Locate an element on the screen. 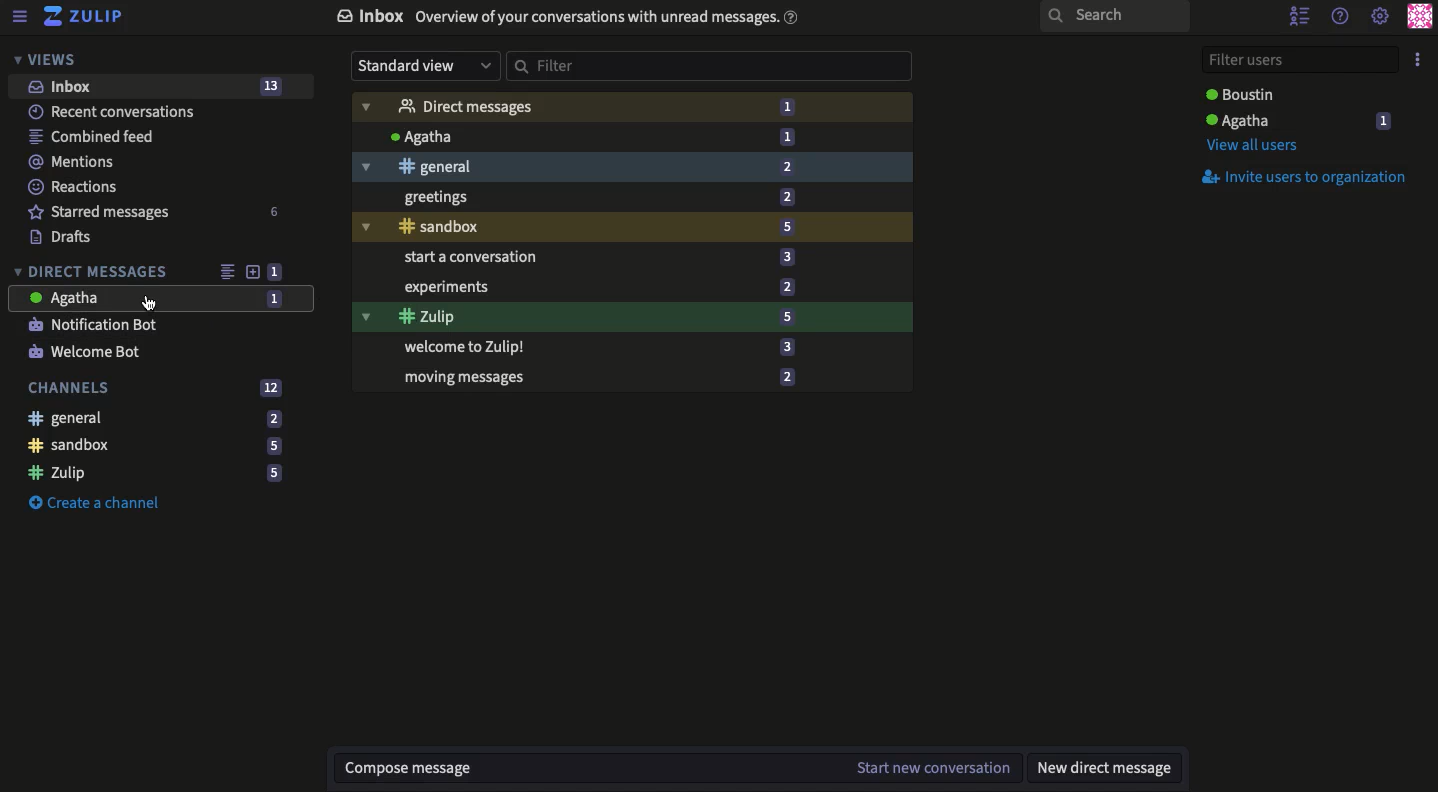 The height and width of the screenshot is (792, 1438). Search is located at coordinates (1112, 18).